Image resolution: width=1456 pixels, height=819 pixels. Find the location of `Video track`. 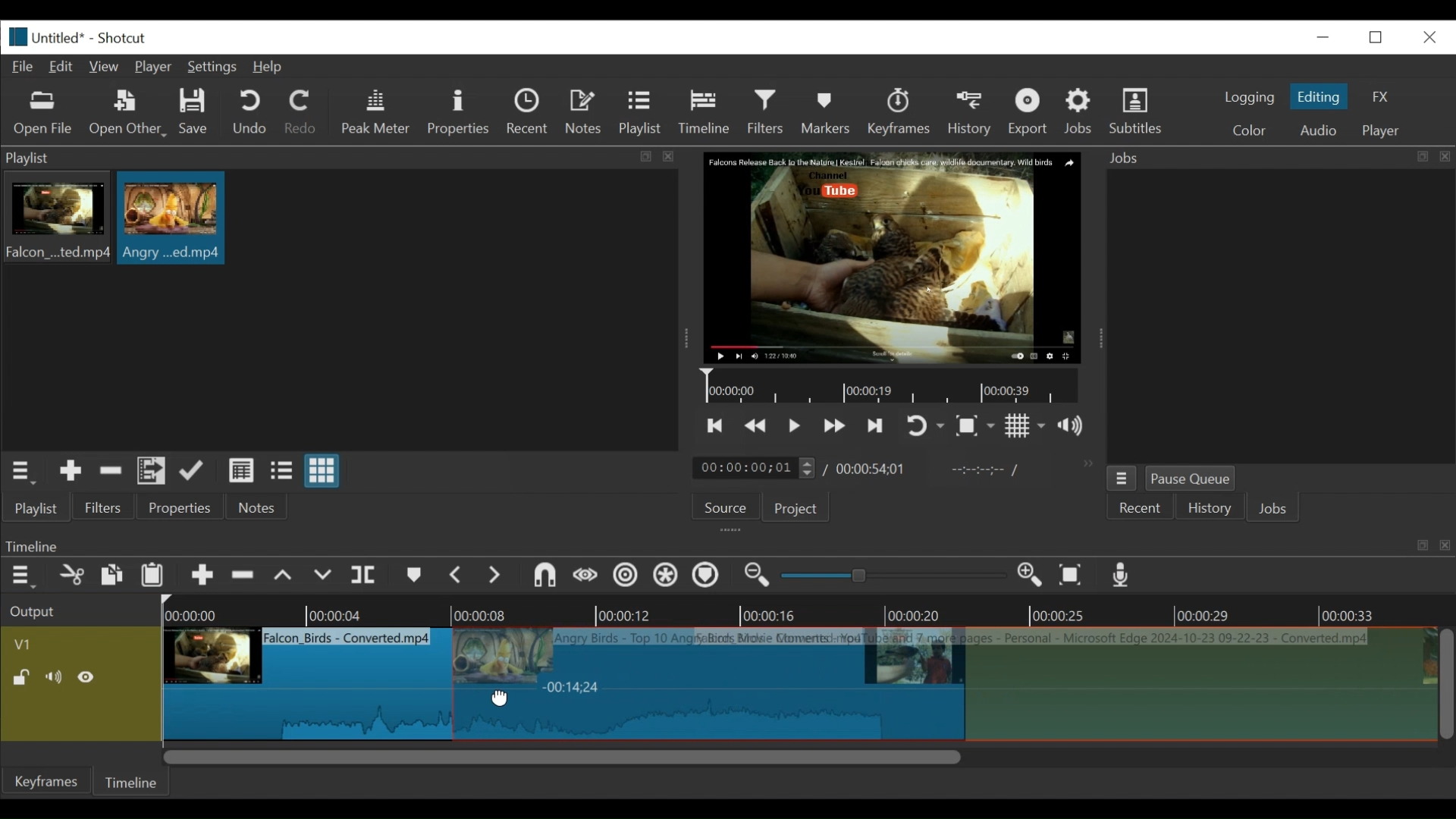

Video track is located at coordinates (81, 644).